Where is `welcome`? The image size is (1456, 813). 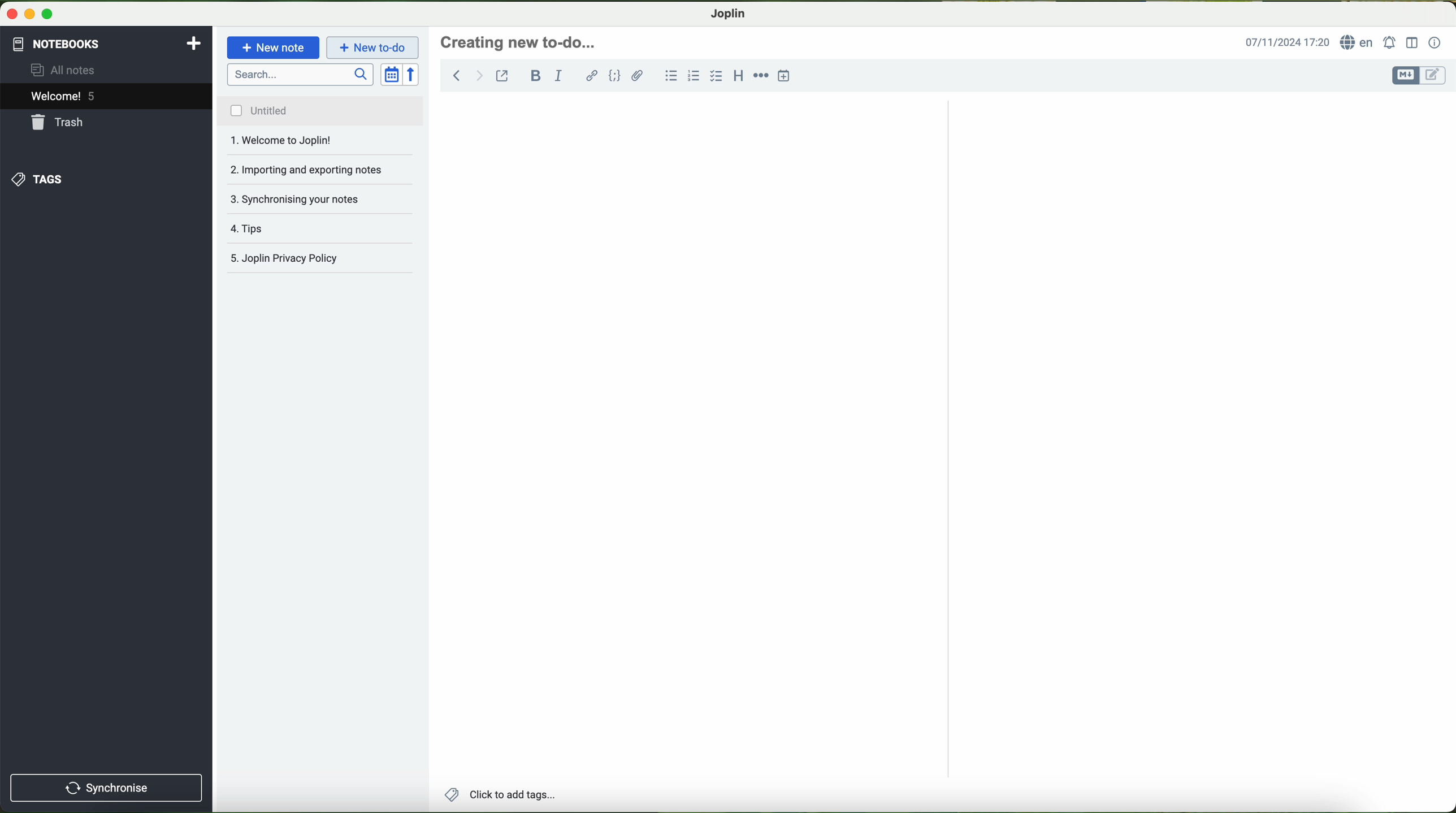
welcome is located at coordinates (106, 98).